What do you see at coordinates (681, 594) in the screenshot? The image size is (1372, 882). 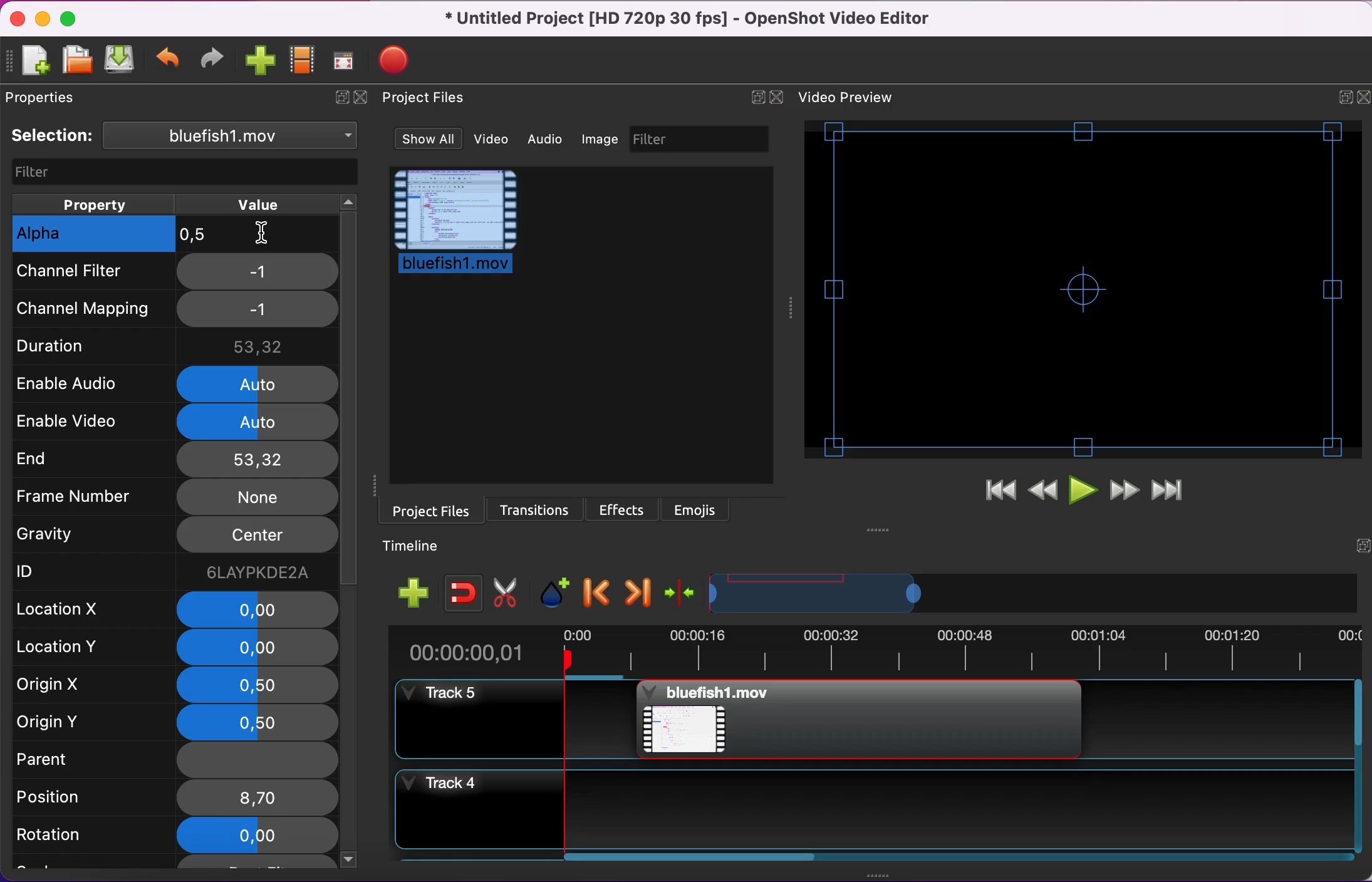 I see `center the timeline` at bounding box center [681, 594].